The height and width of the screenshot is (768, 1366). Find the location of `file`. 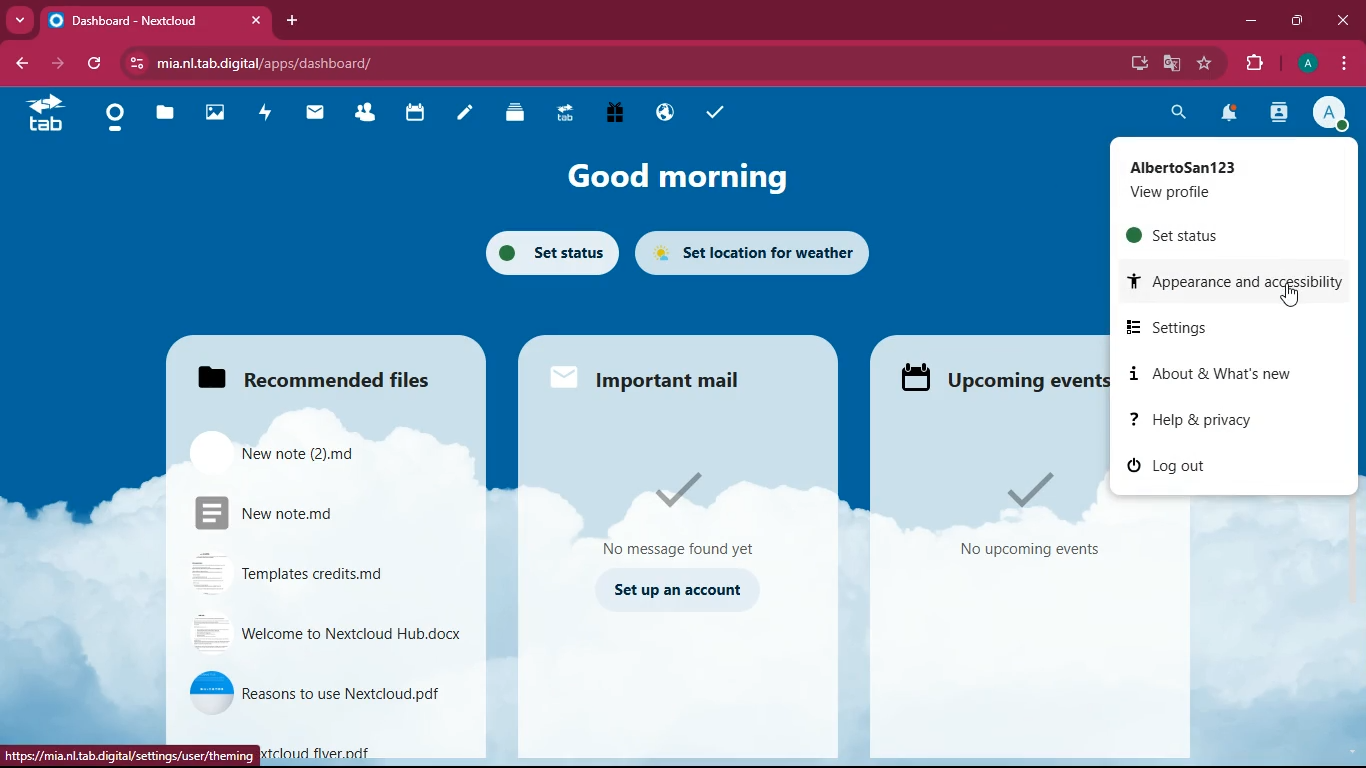

file is located at coordinates (312, 694).